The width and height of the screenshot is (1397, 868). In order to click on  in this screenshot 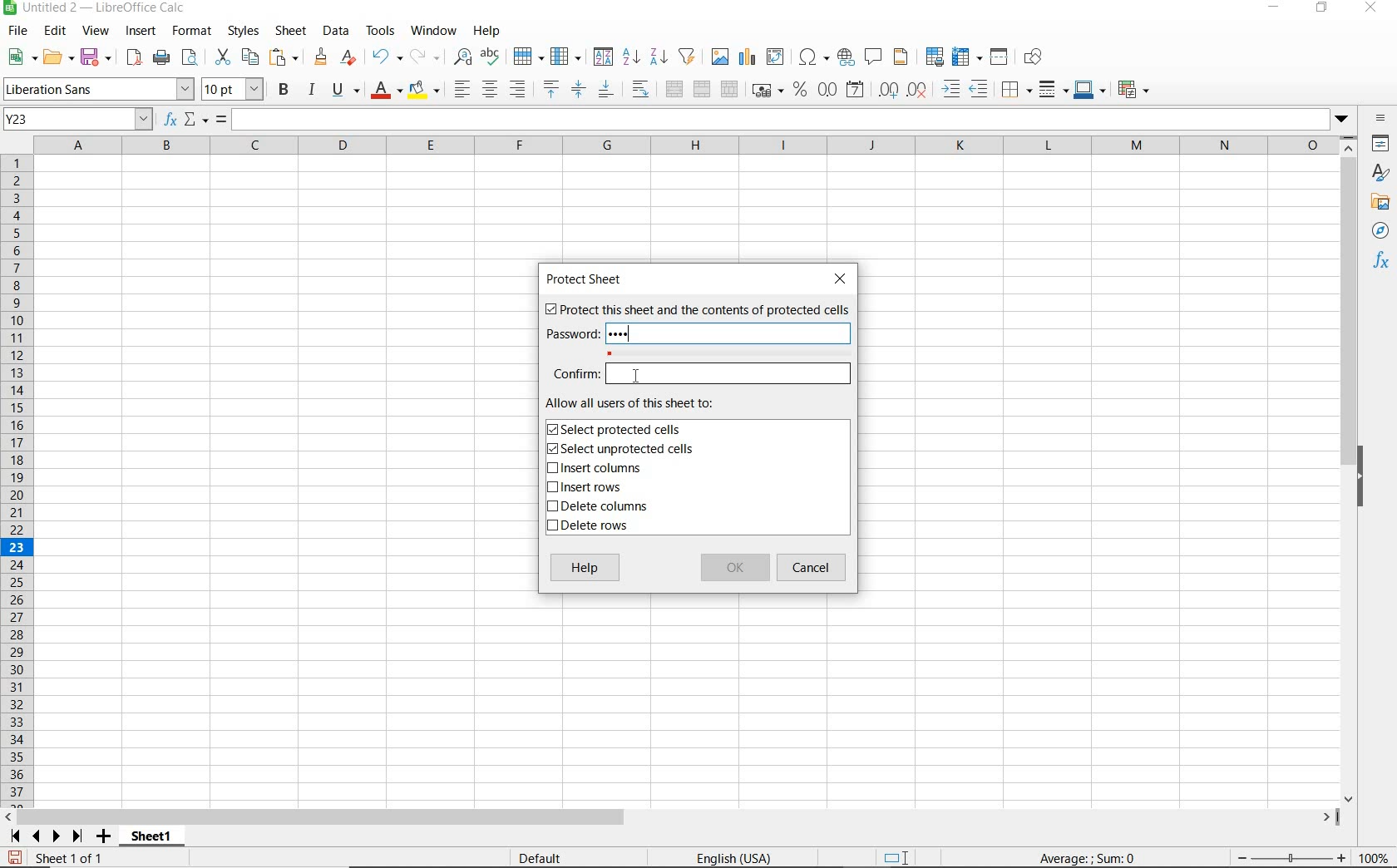, I will do `click(491, 58)`.